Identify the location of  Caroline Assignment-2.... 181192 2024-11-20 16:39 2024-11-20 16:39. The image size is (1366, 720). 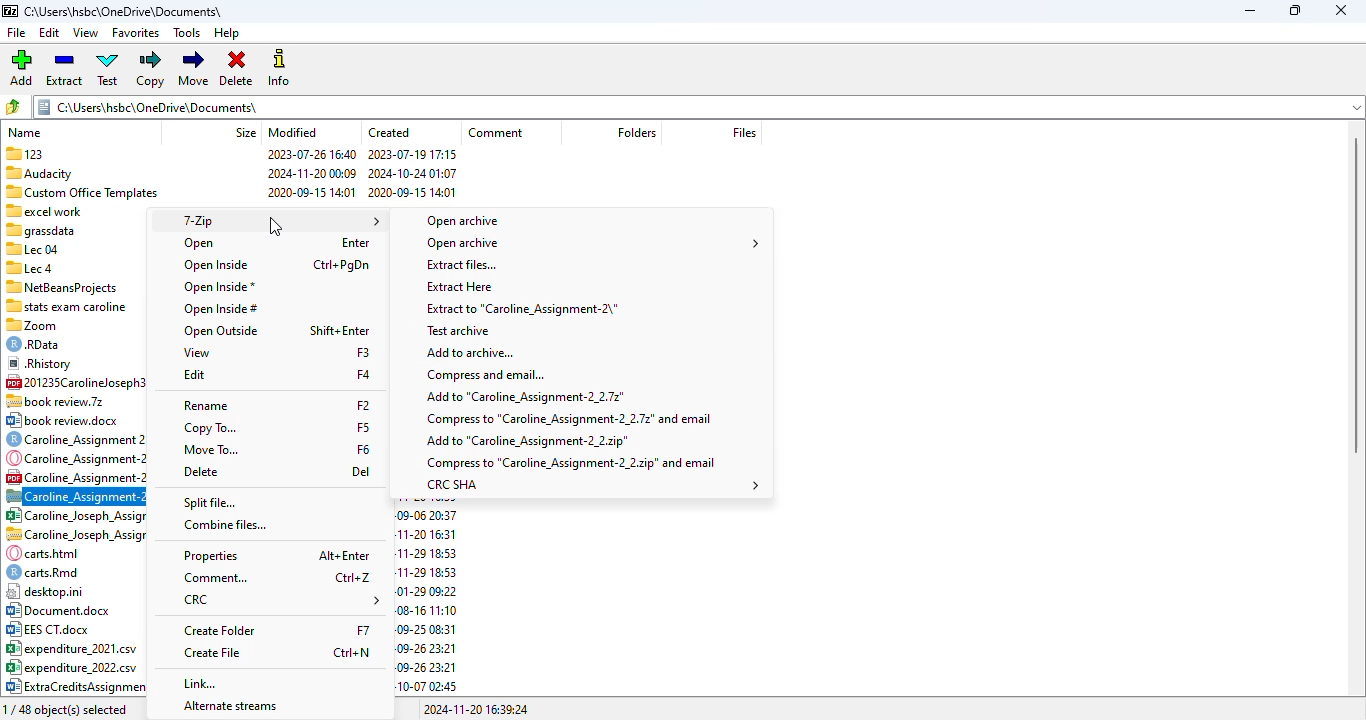
(75, 495).